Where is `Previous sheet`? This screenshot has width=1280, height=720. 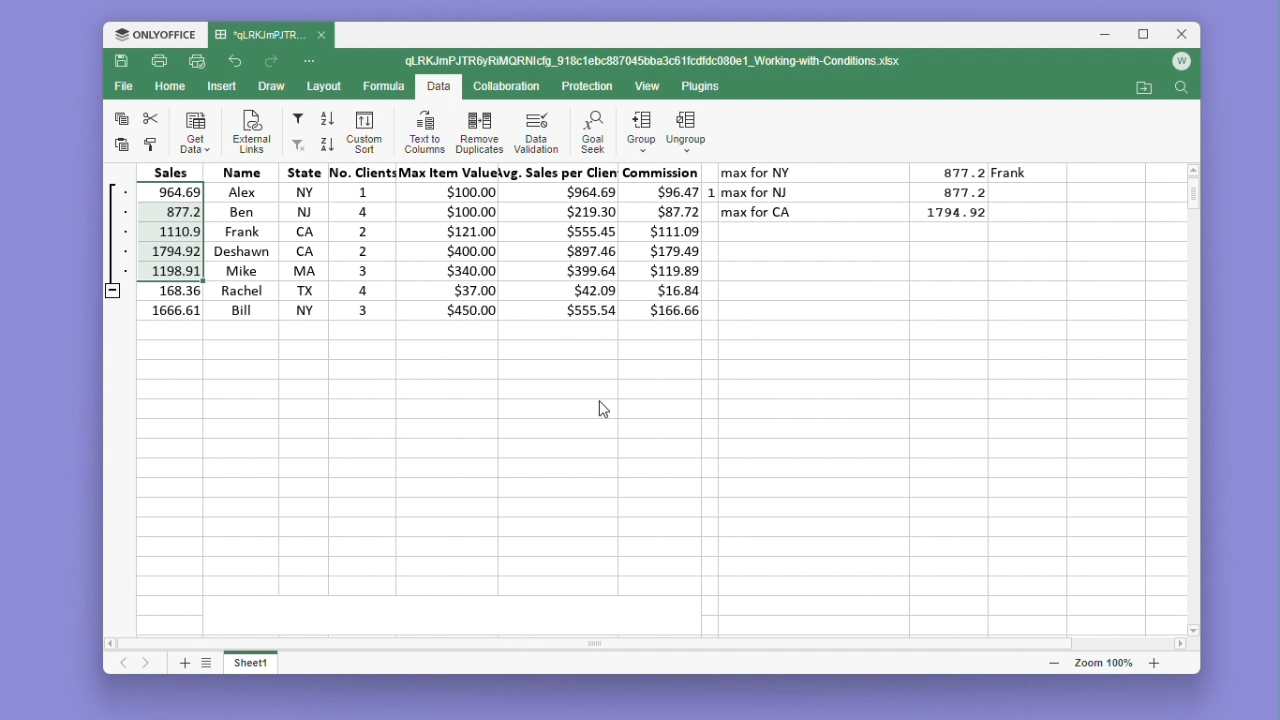
Previous sheet is located at coordinates (125, 664).